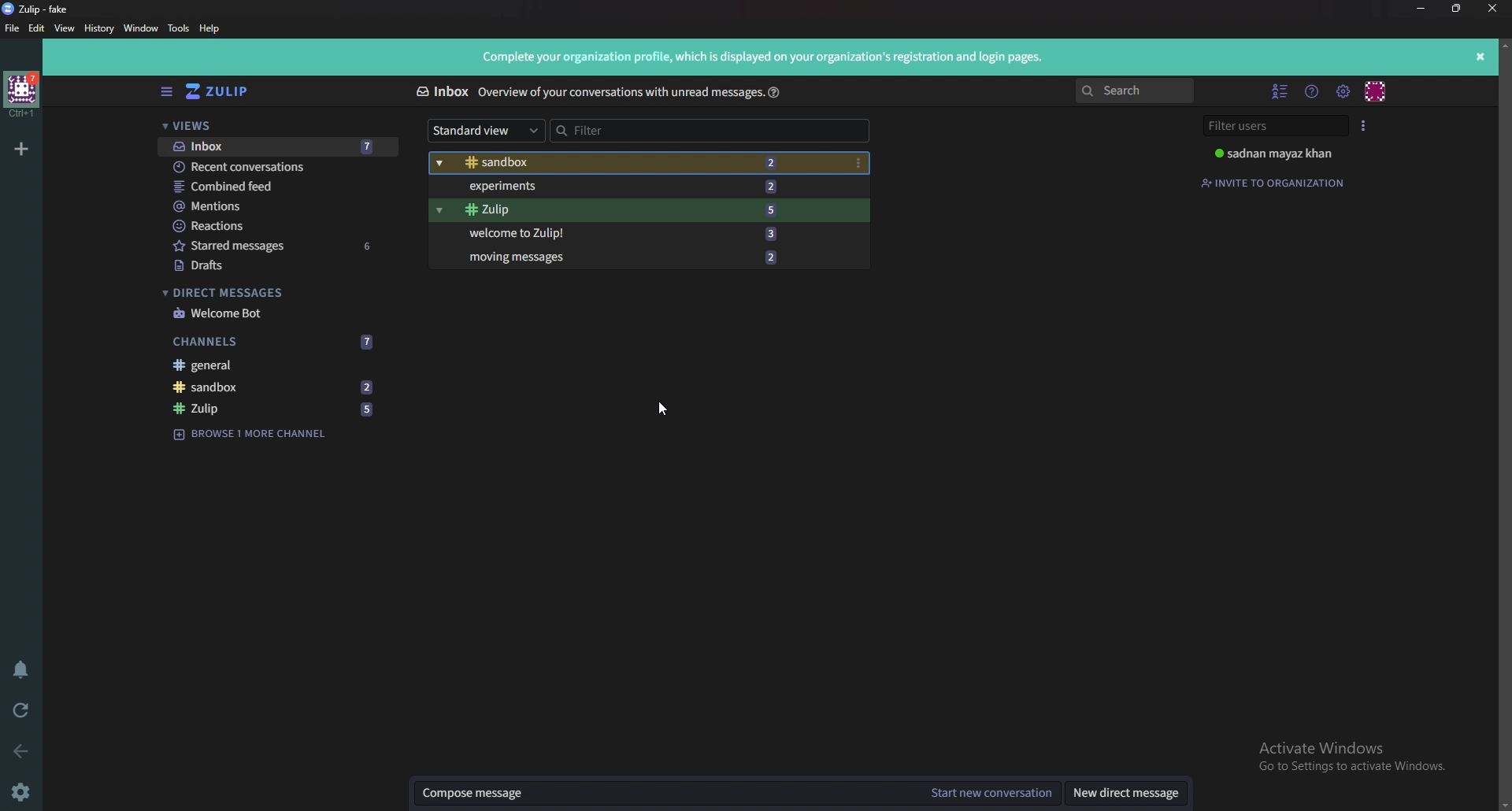  What do you see at coordinates (222, 92) in the screenshot?
I see `Home view` at bounding box center [222, 92].